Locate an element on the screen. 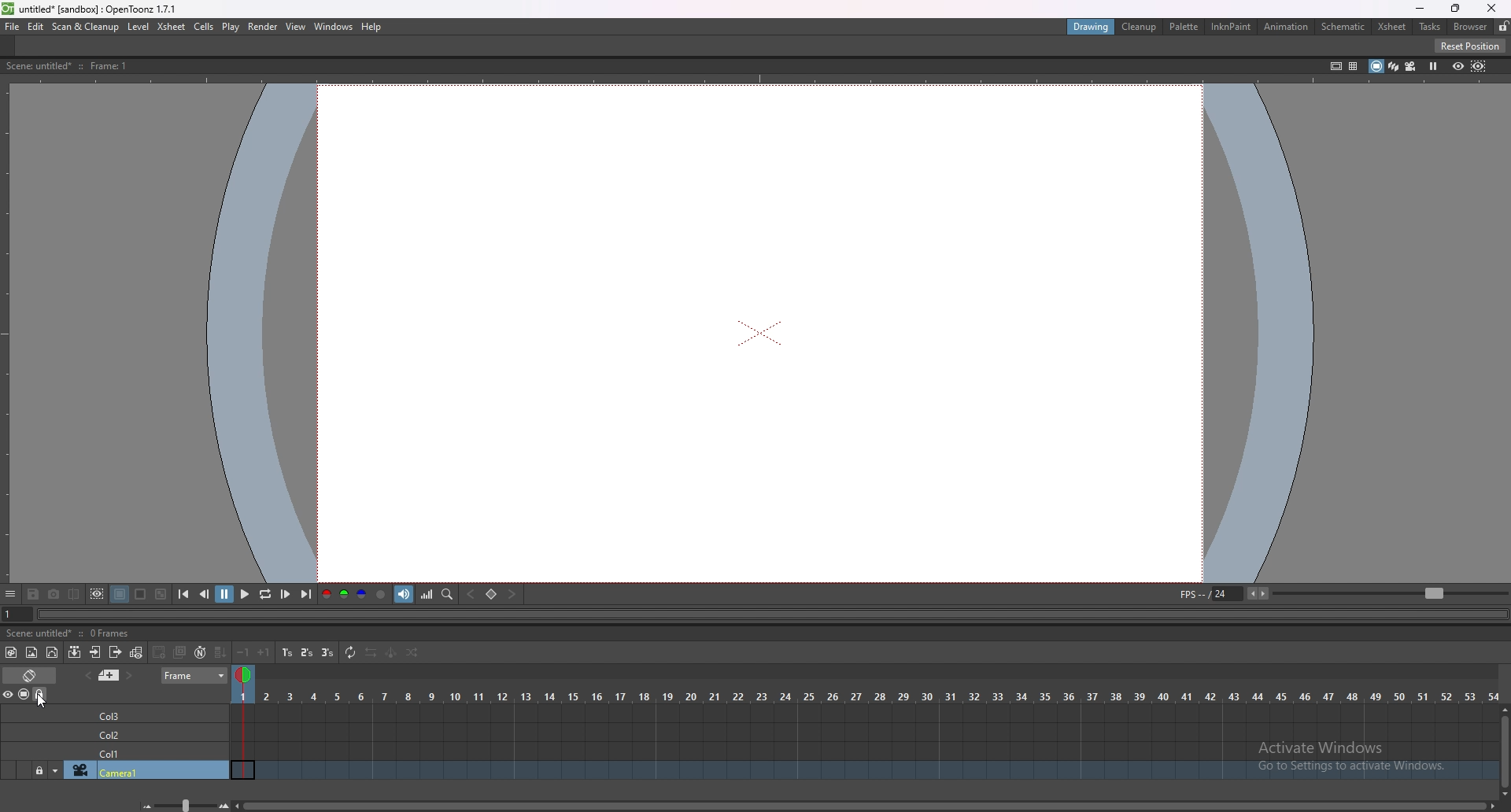 Image resolution: width=1511 pixels, height=812 pixels. camera stand visibility toggle is located at coordinates (24, 695).